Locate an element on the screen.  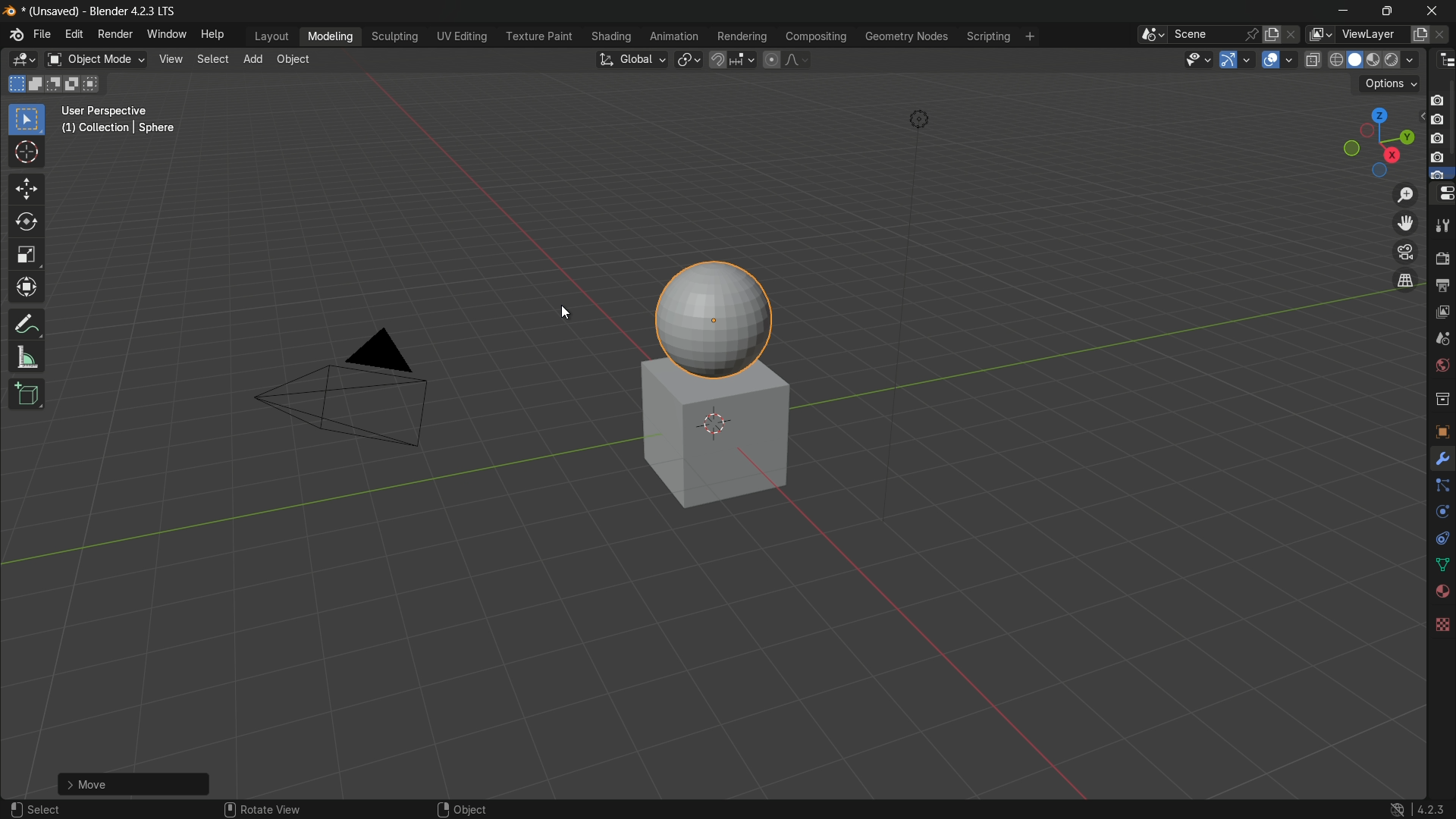
scene name is located at coordinates (1203, 35).